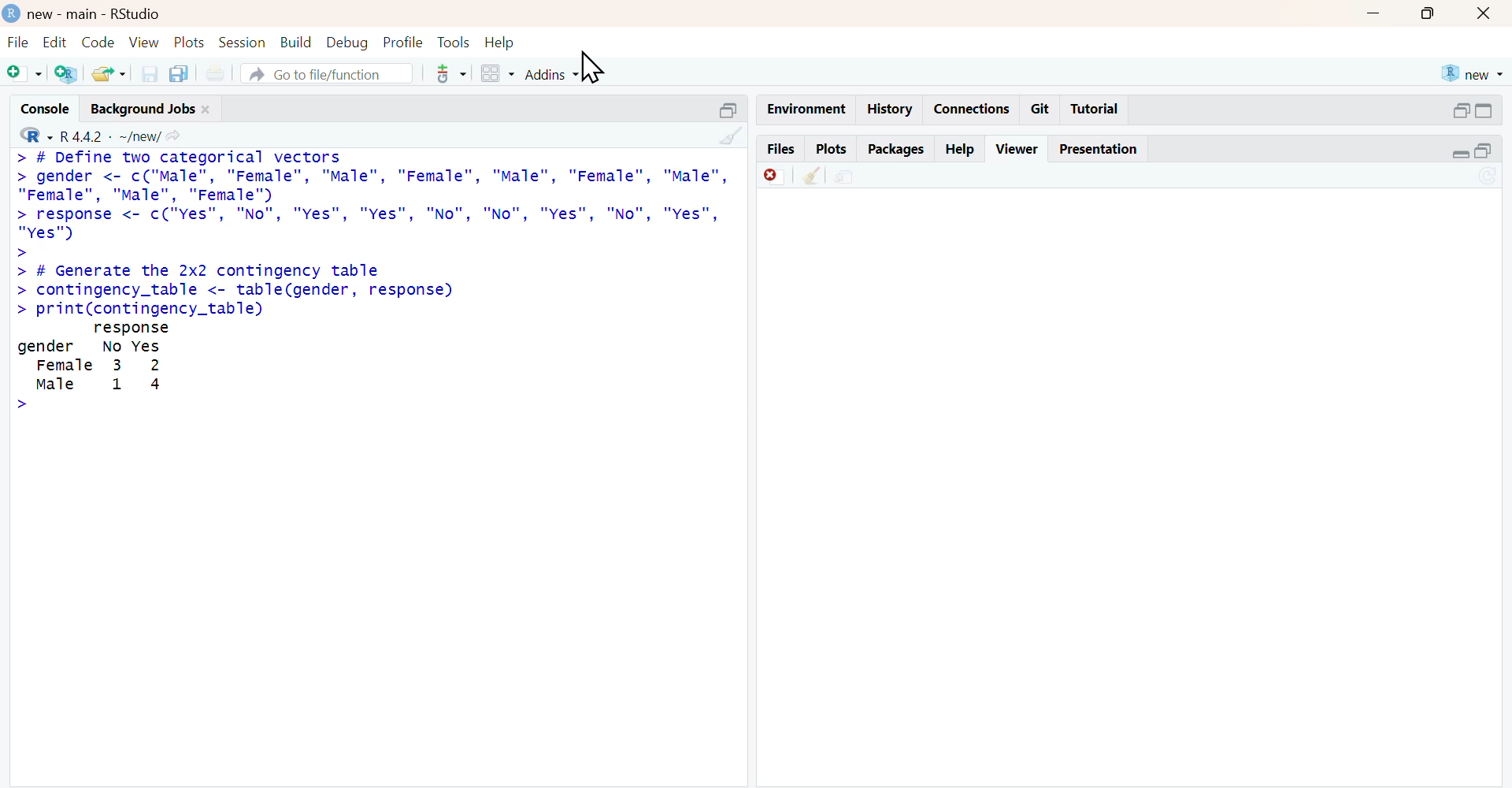 Image resolution: width=1512 pixels, height=788 pixels. What do you see at coordinates (453, 74) in the screenshot?
I see `tools` at bounding box center [453, 74].